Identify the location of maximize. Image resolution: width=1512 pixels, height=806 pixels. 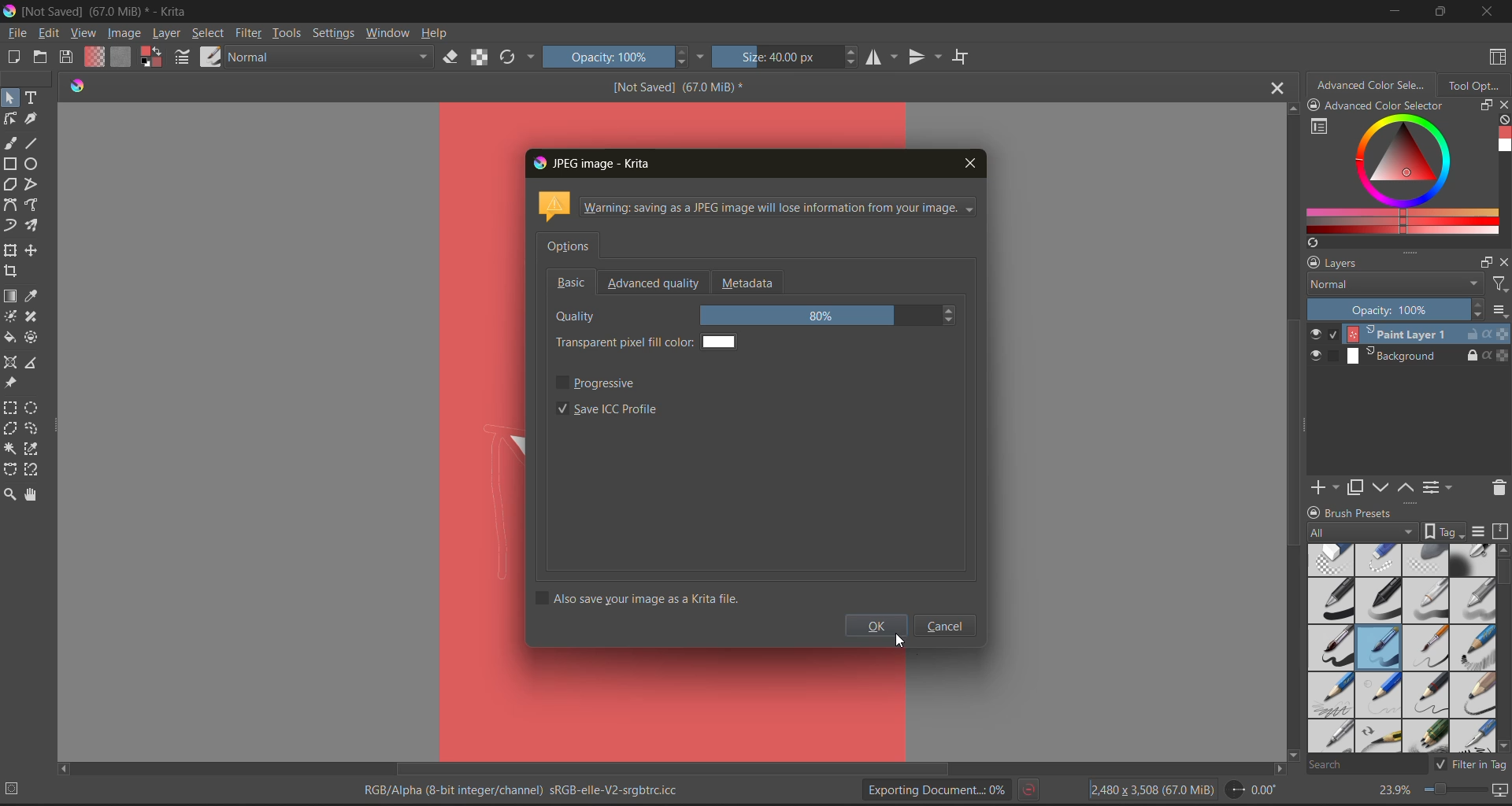
(1440, 10).